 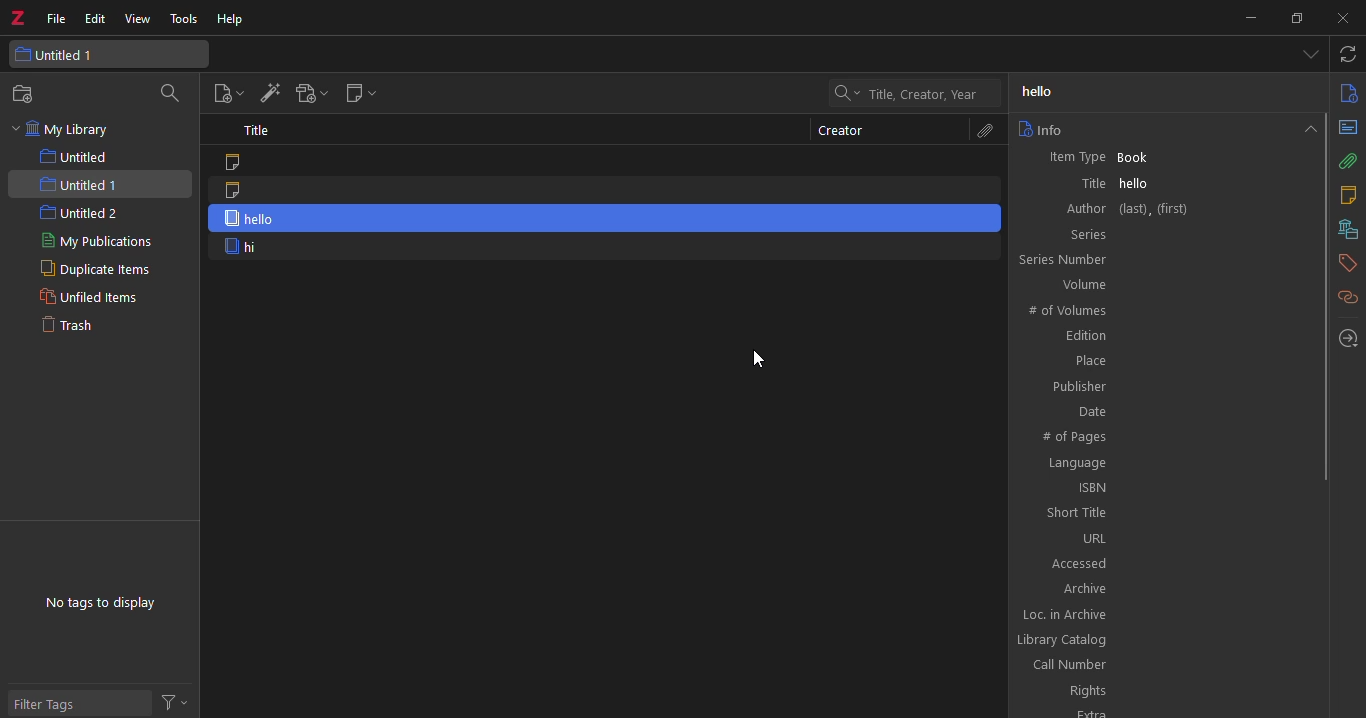 I want to click on item type: book, so click(x=1163, y=156).